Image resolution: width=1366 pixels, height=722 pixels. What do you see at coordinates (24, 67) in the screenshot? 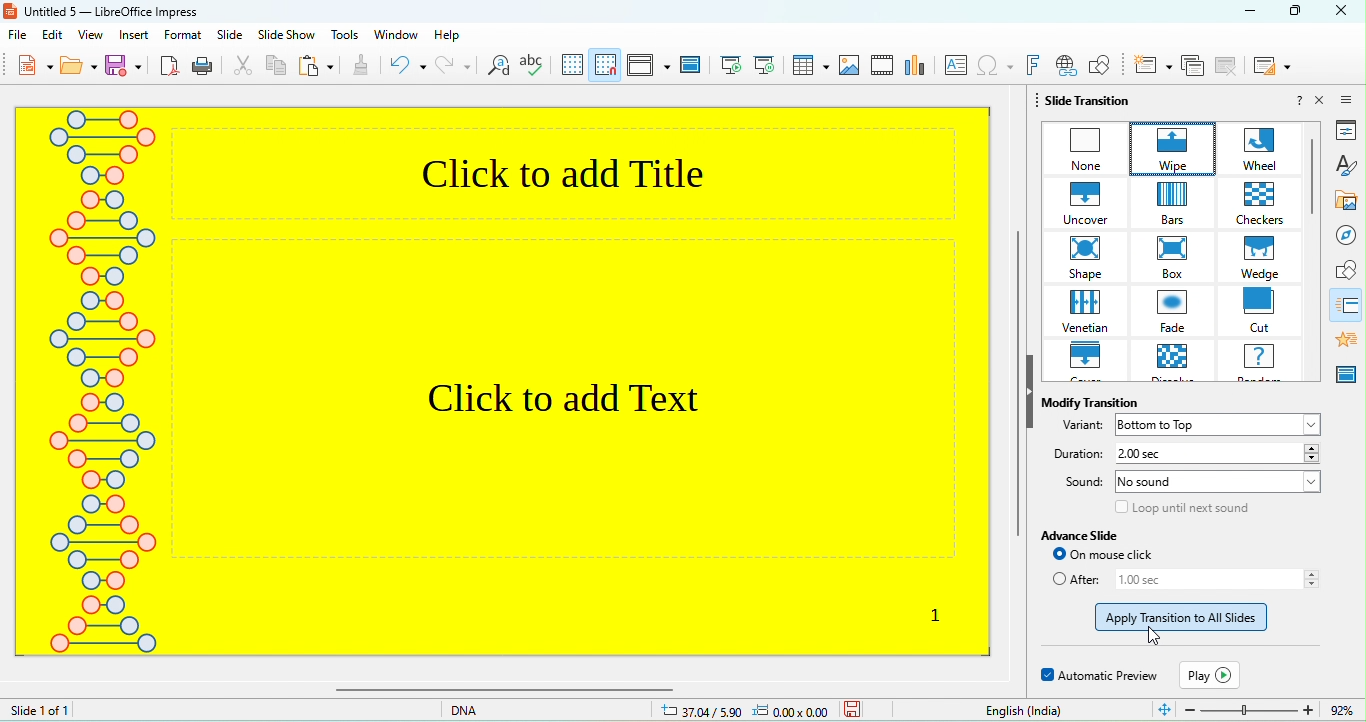
I see `new` at bounding box center [24, 67].